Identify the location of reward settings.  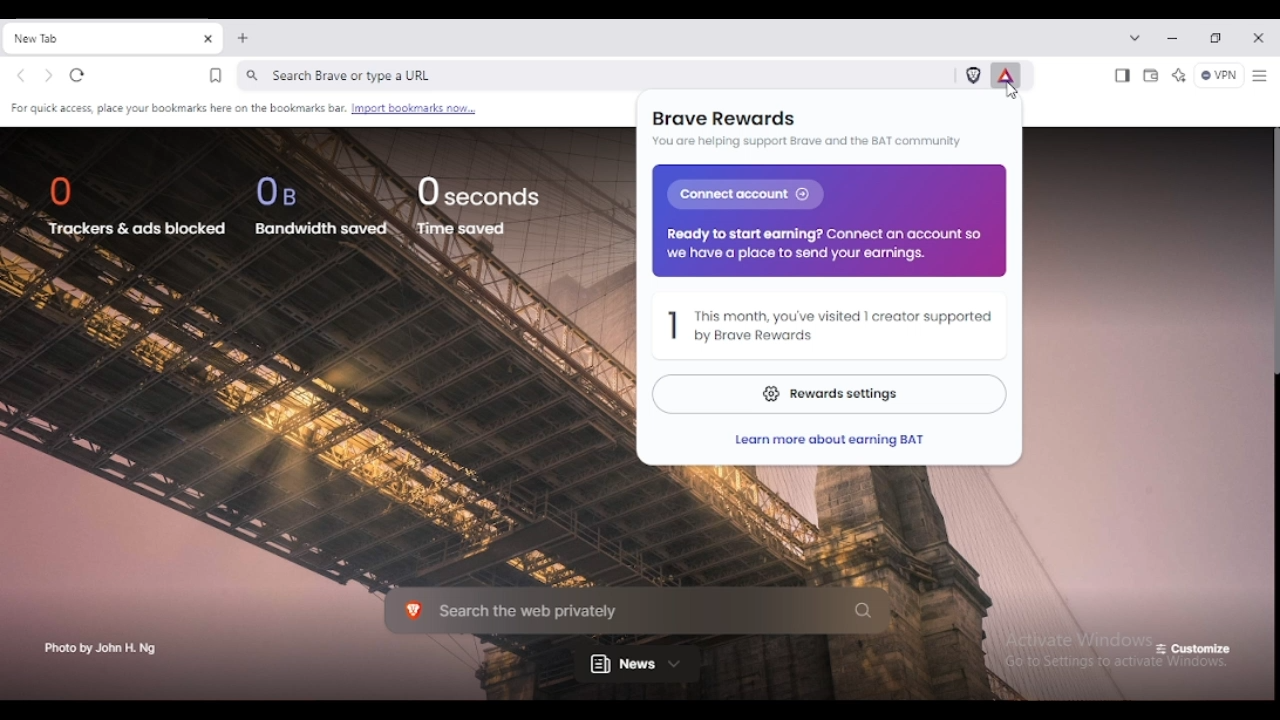
(831, 395).